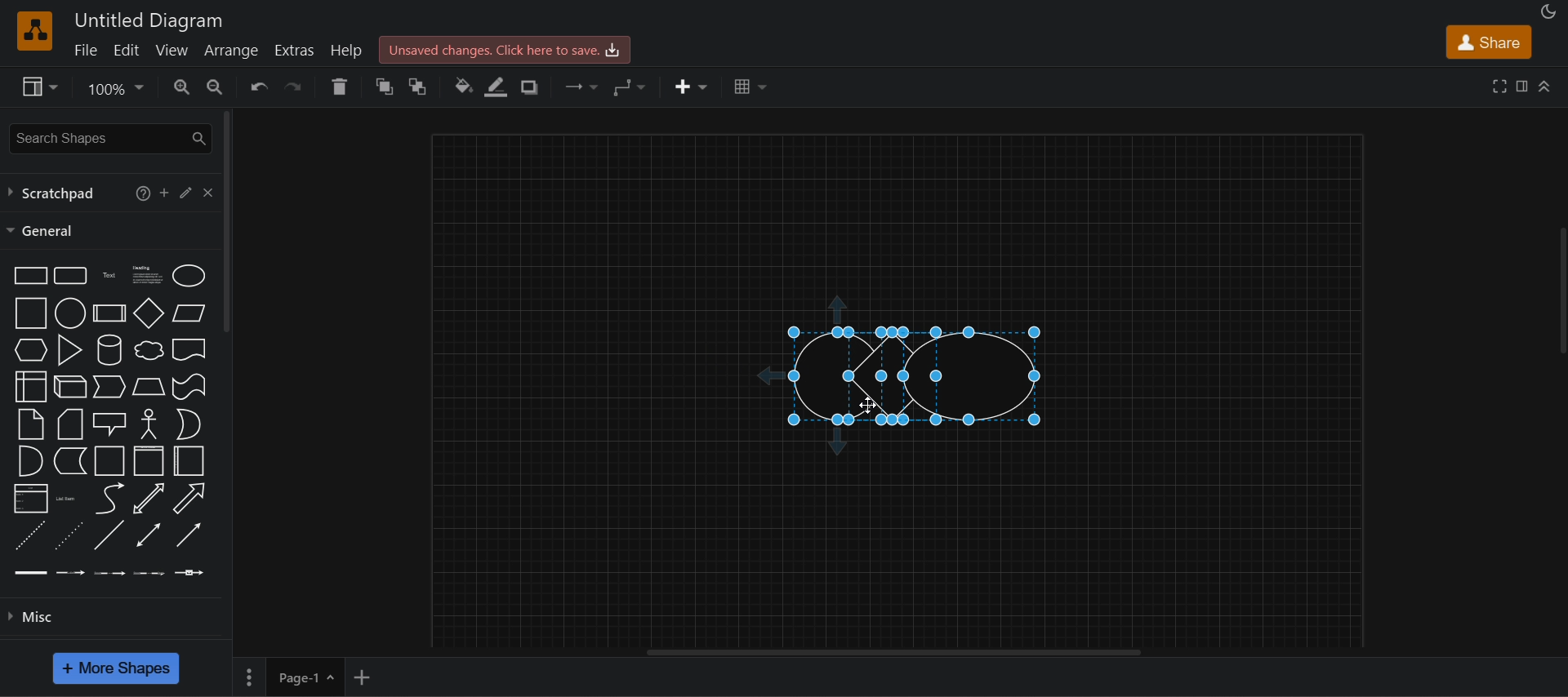  Describe the element at coordinates (108, 388) in the screenshot. I see `step` at that location.